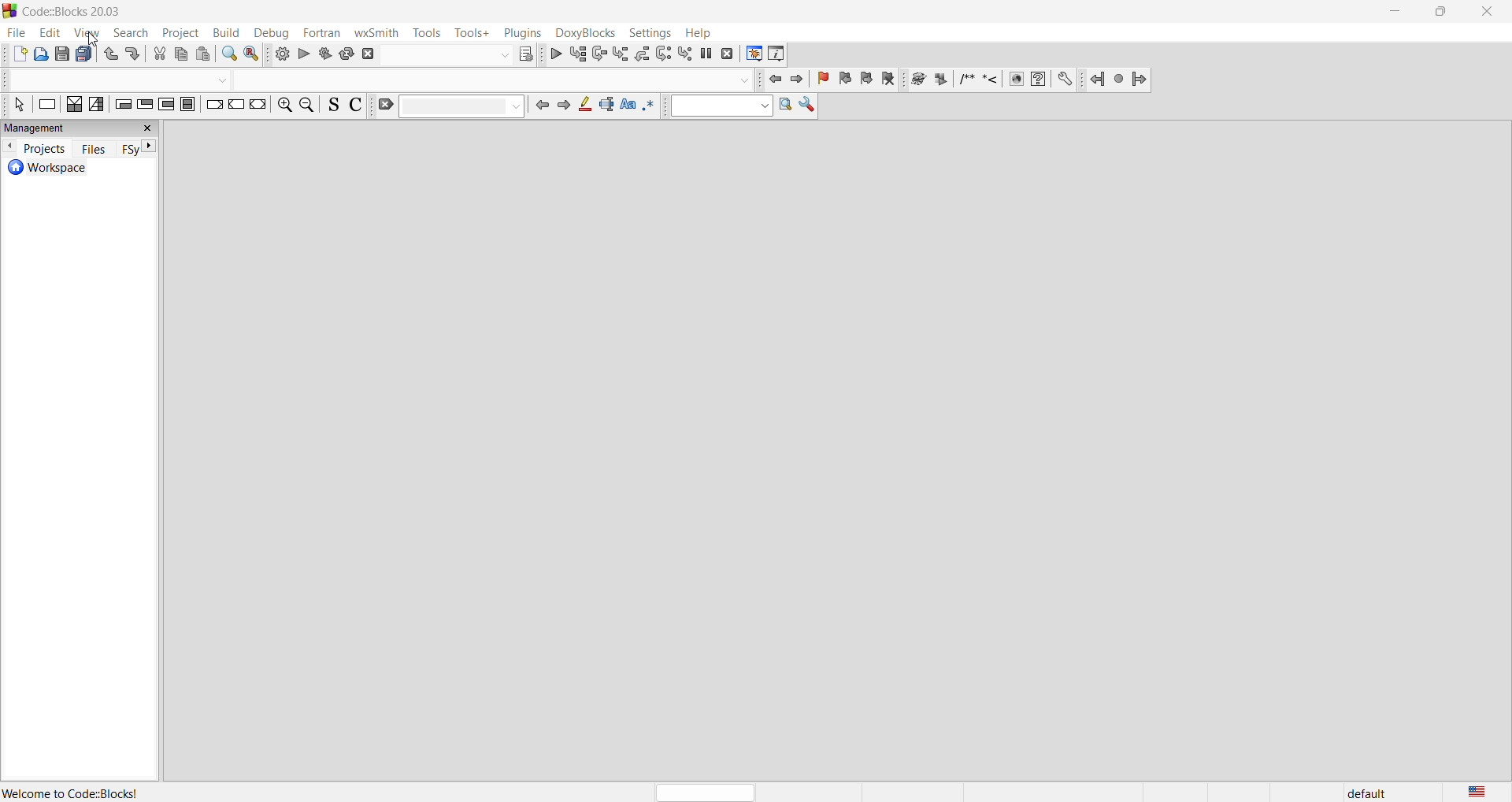 Image resolution: width=1512 pixels, height=802 pixels. What do you see at coordinates (847, 81) in the screenshot?
I see `prev bookmark` at bounding box center [847, 81].